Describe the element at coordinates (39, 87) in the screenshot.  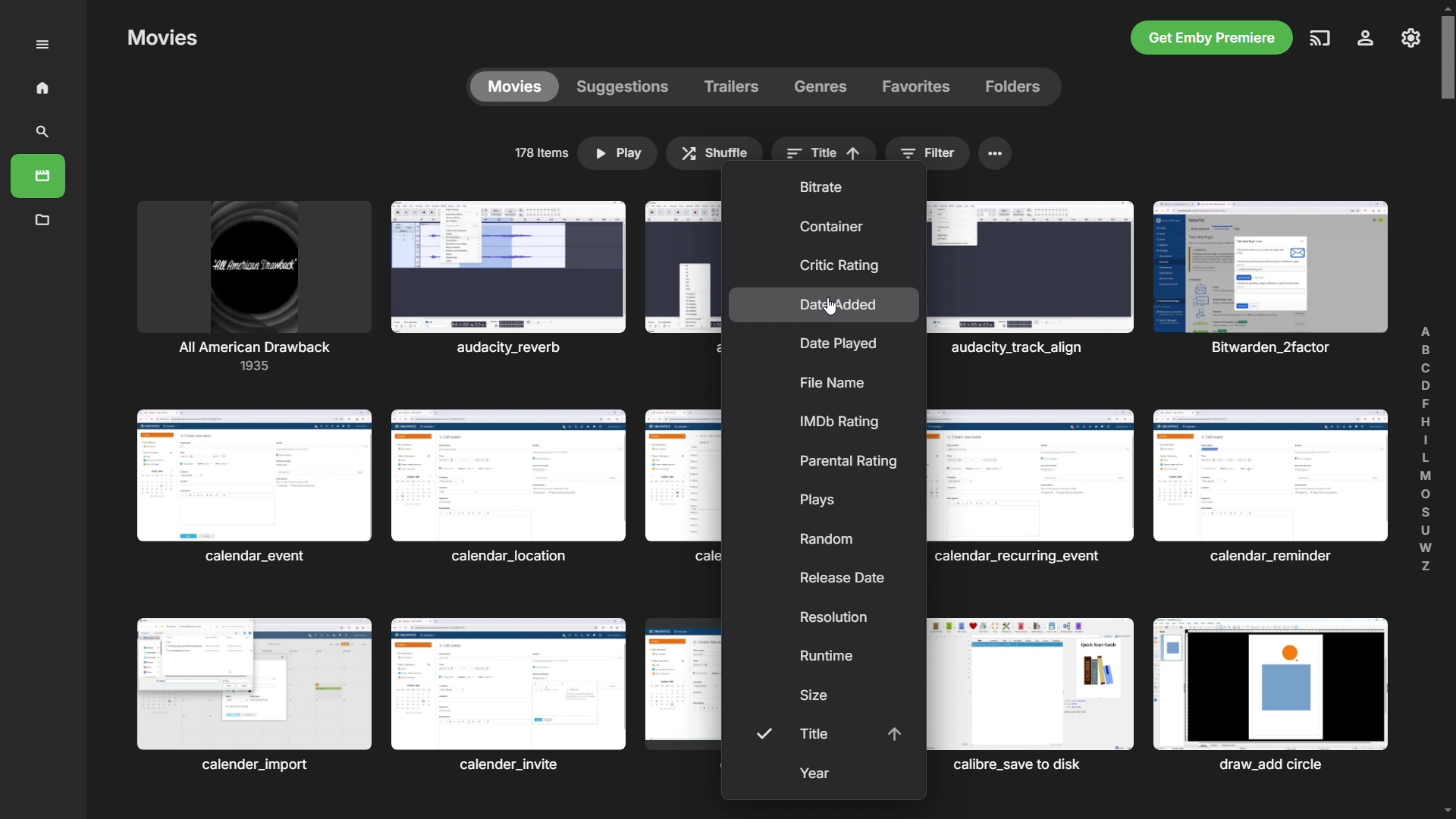
I see `home` at that location.